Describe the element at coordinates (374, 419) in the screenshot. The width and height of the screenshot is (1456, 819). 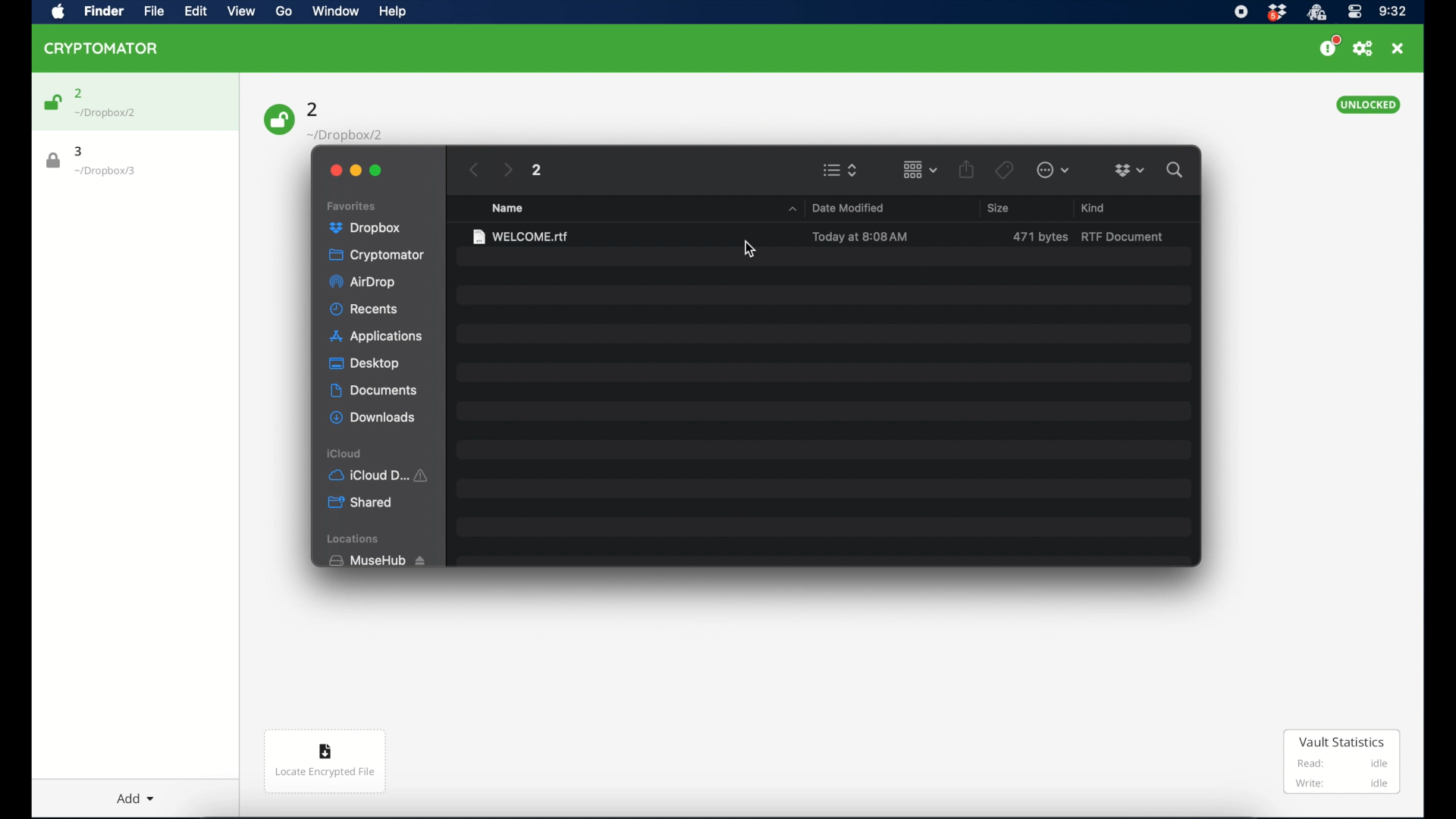
I see `downloads` at that location.